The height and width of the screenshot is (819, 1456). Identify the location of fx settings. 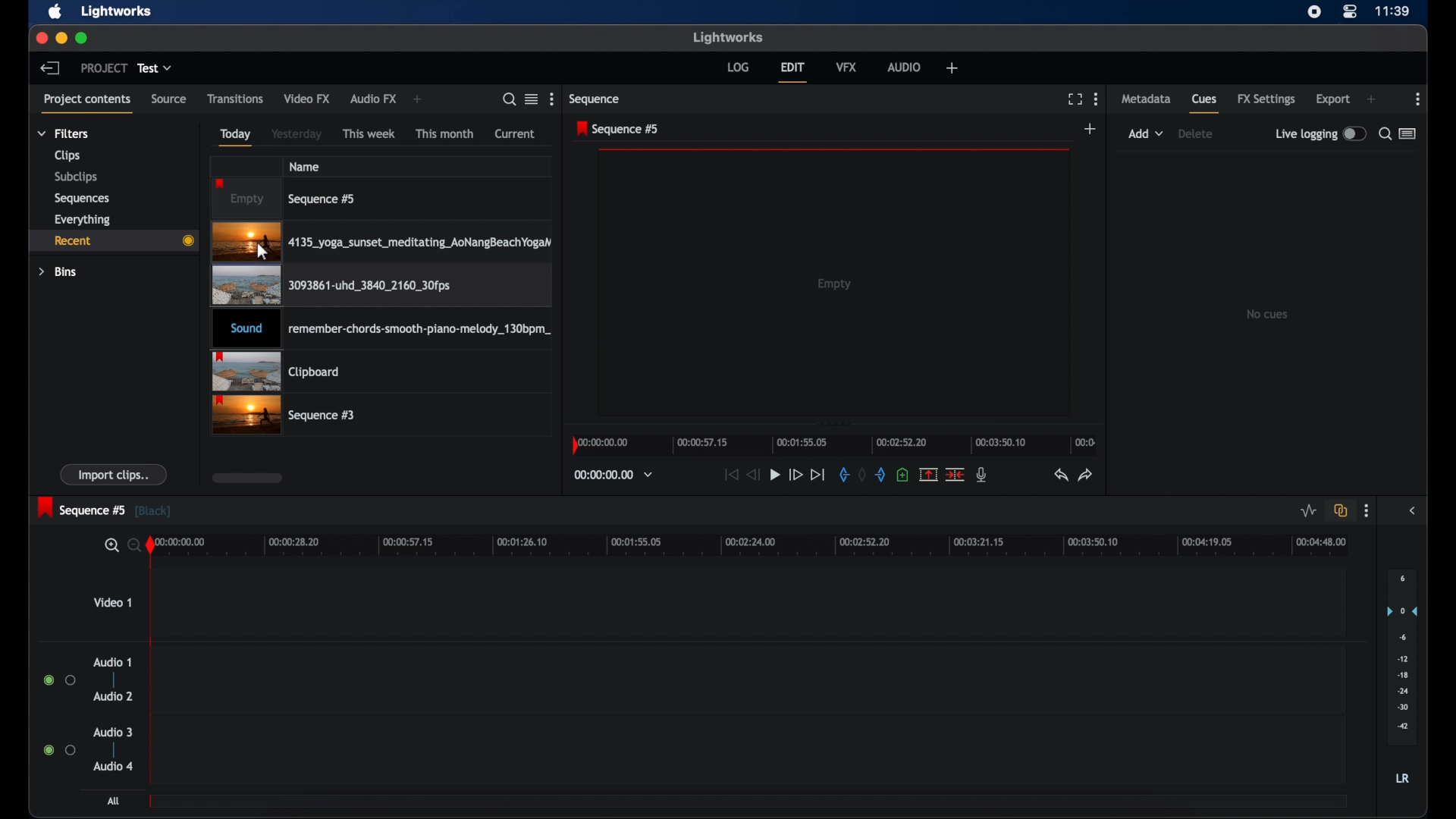
(1268, 99).